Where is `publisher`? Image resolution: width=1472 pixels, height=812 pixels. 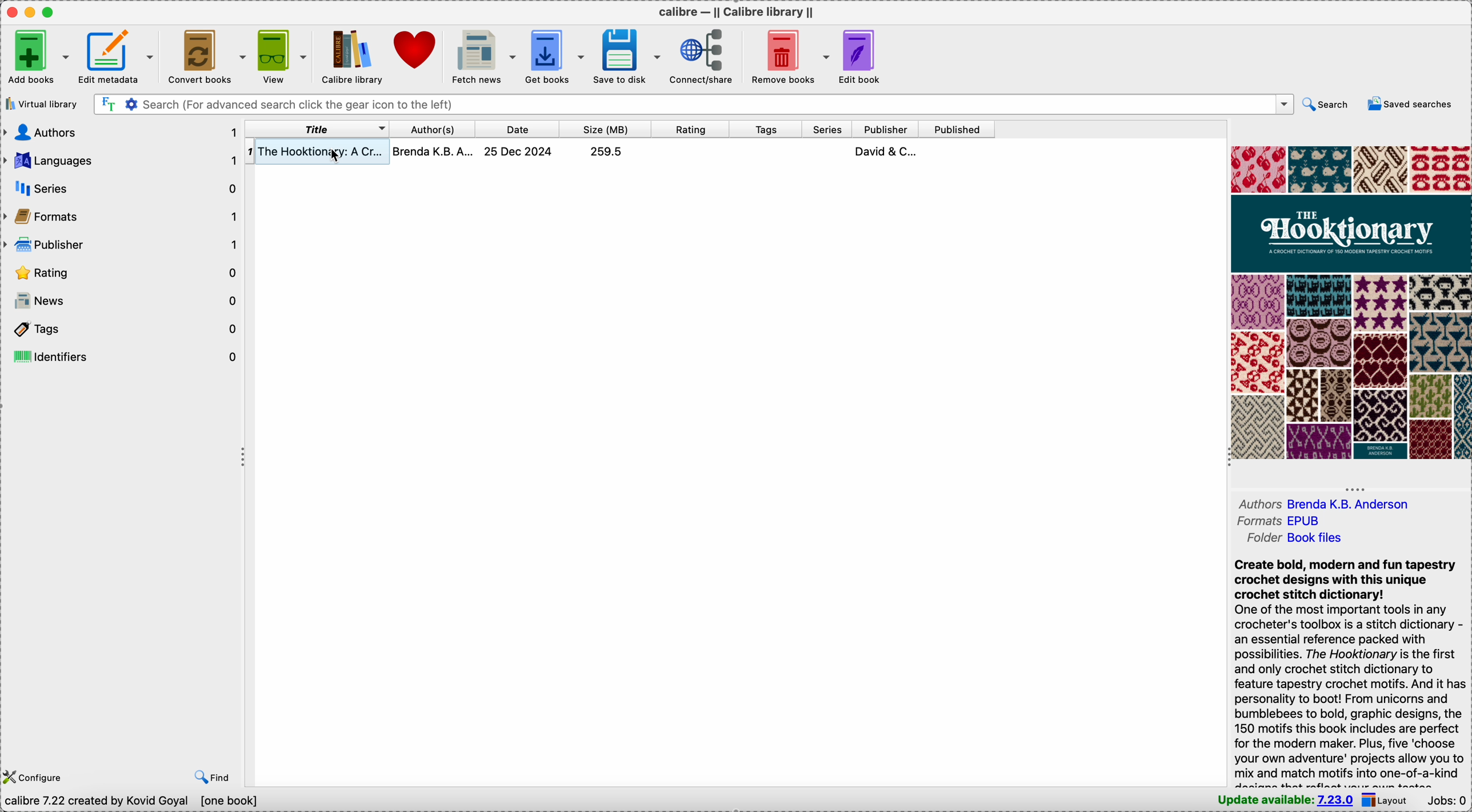 publisher is located at coordinates (886, 129).